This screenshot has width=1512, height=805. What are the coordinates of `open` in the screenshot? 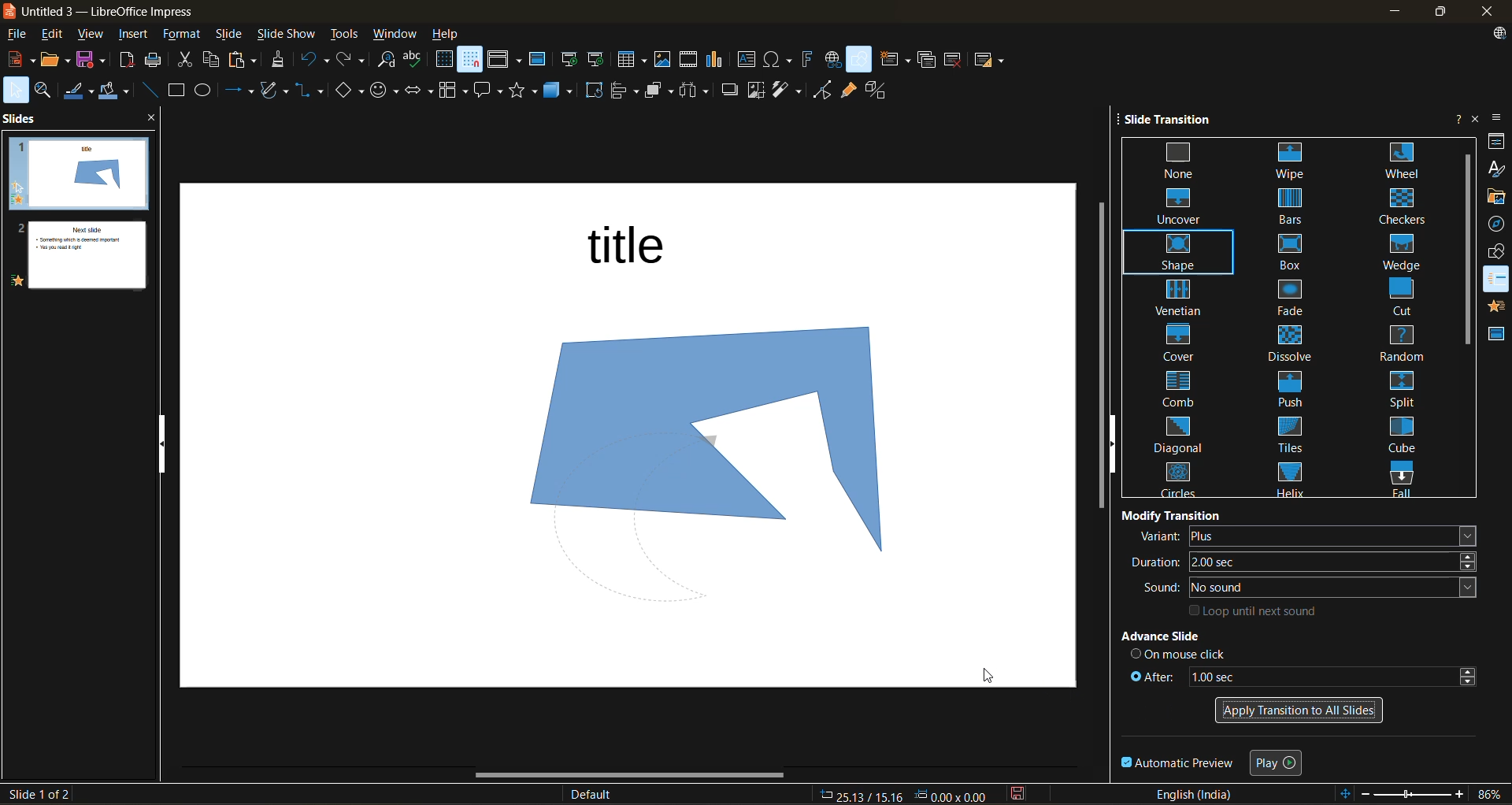 It's located at (56, 63).